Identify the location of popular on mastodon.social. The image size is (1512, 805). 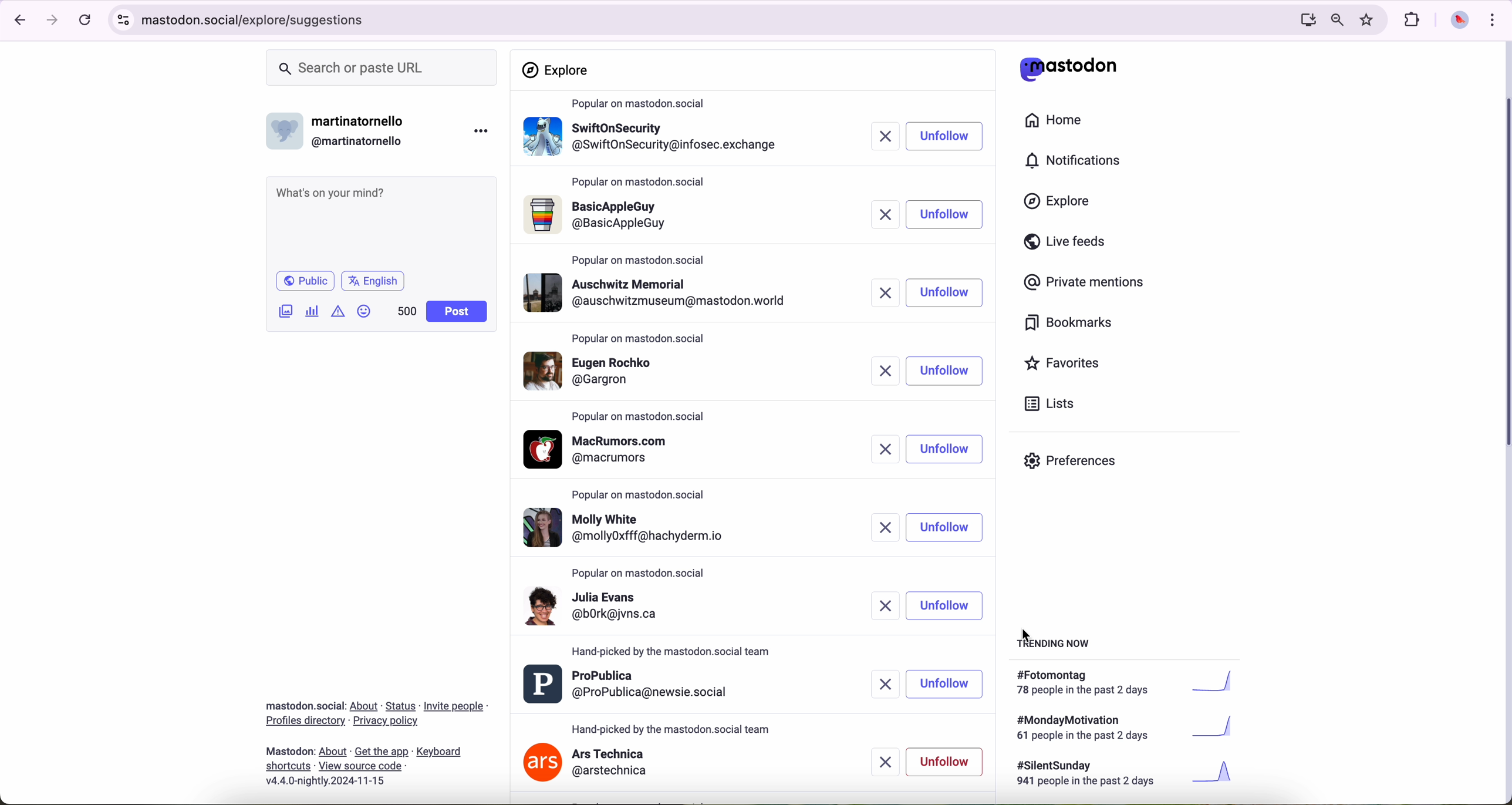
(643, 184).